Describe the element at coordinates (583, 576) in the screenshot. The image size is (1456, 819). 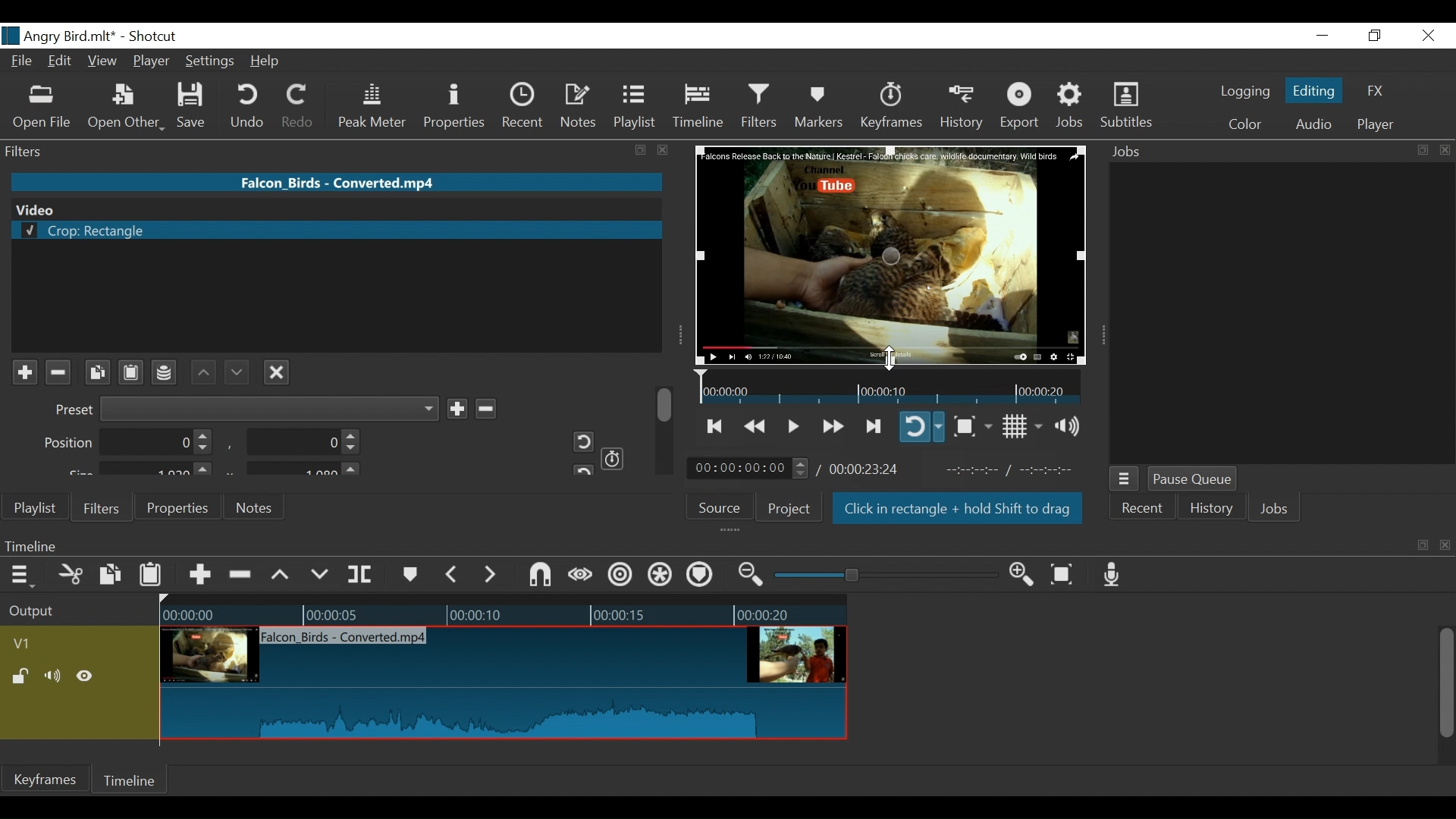
I see `Scrub while dragging` at that location.